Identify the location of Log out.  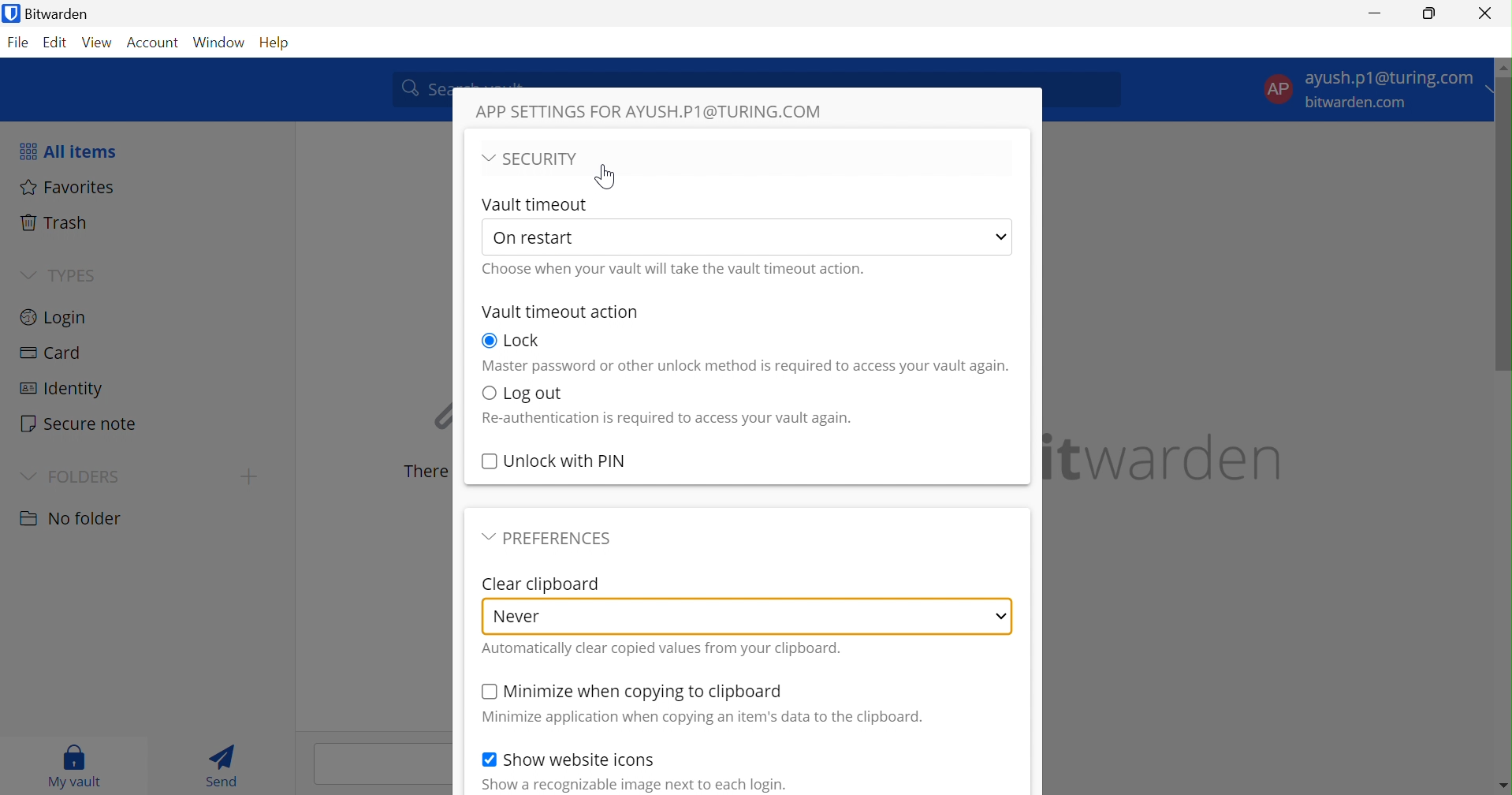
(537, 393).